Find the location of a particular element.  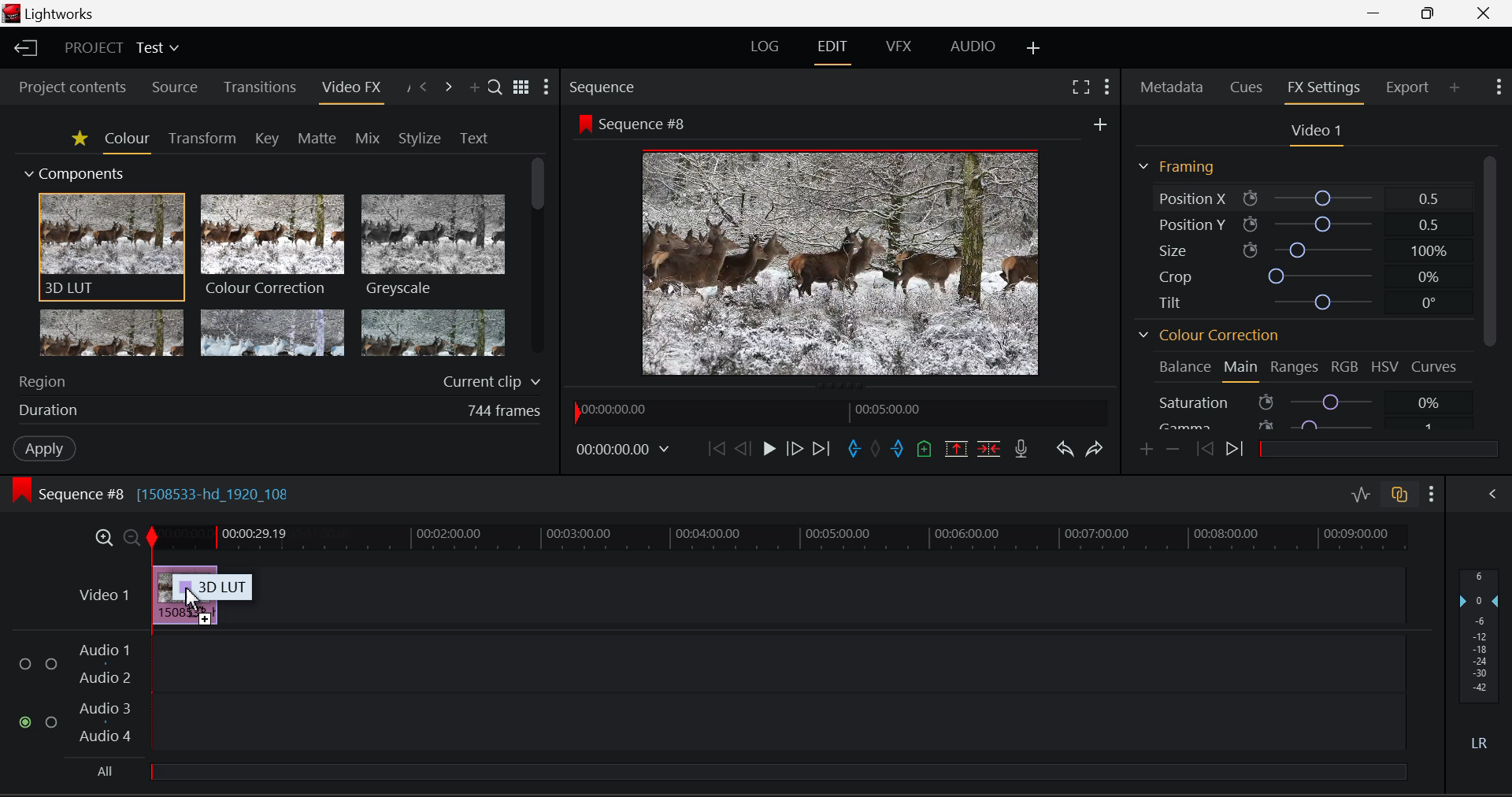

Show Settings is located at coordinates (548, 87).